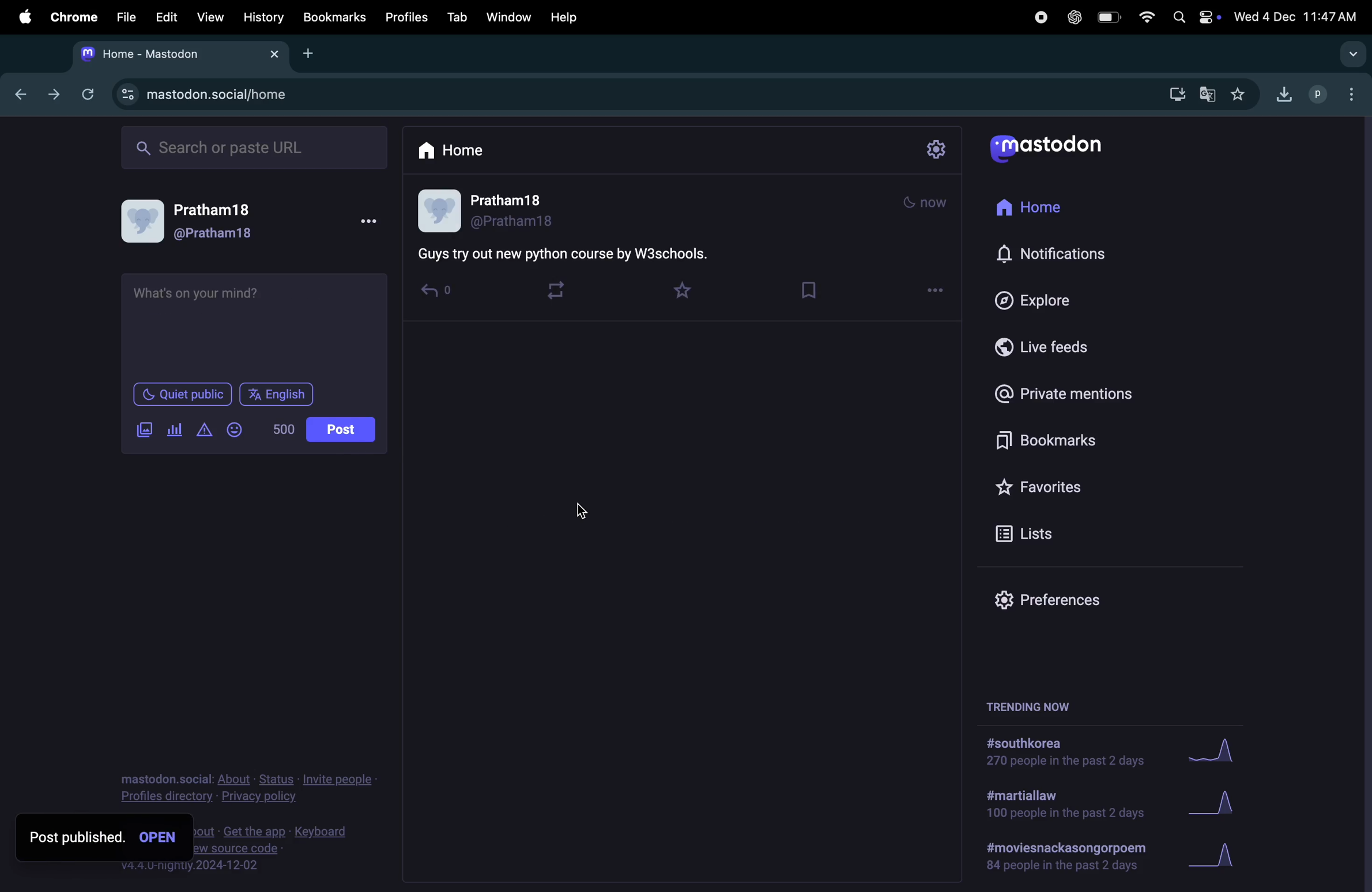 The image size is (1372, 892). What do you see at coordinates (334, 18) in the screenshot?
I see `Bookmark` at bounding box center [334, 18].